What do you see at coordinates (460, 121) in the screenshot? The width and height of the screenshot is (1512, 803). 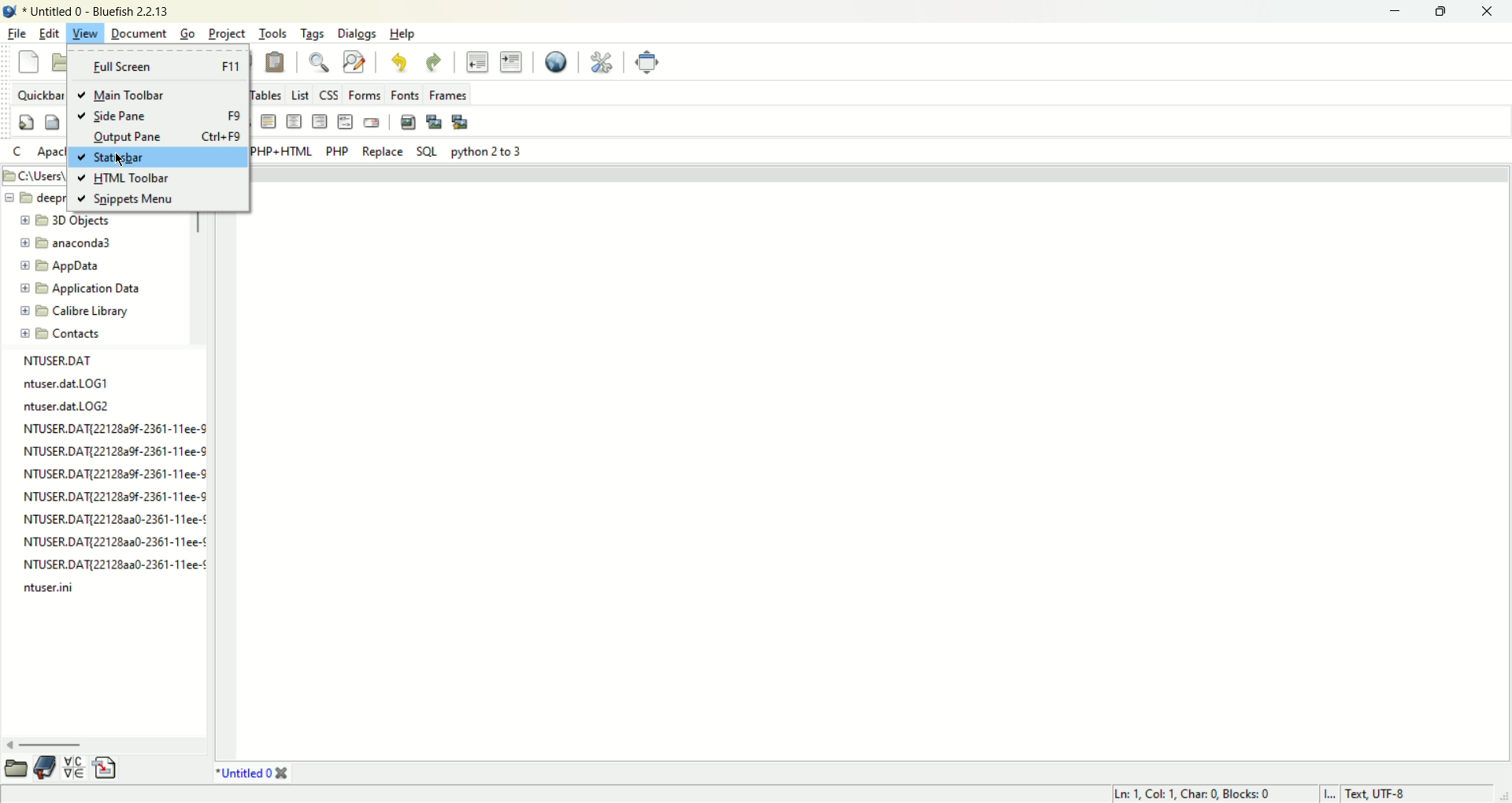 I see `multi thumbnail` at bounding box center [460, 121].